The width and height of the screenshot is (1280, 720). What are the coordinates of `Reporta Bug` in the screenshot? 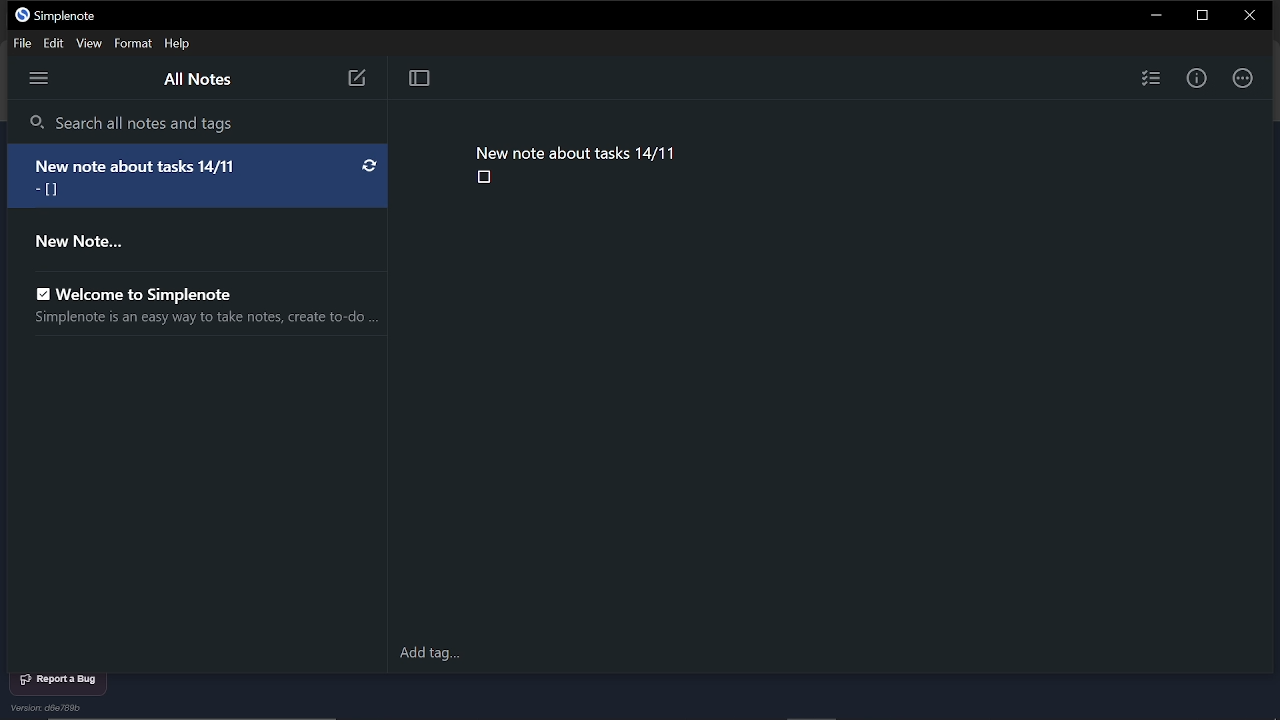 It's located at (60, 680).